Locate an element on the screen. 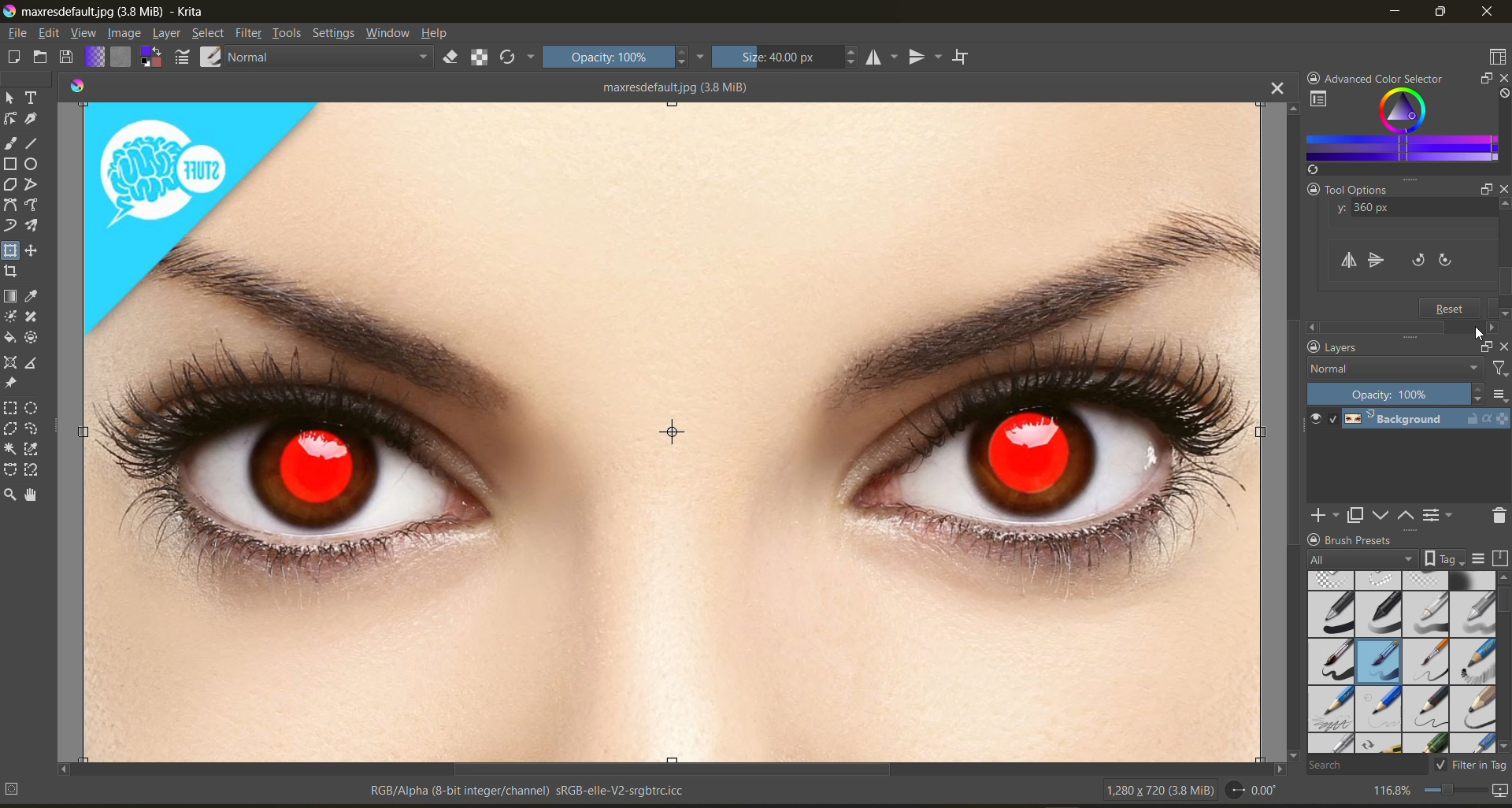 The image size is (1512, 808). Scroll bar is located at coordinates (1401, 327).